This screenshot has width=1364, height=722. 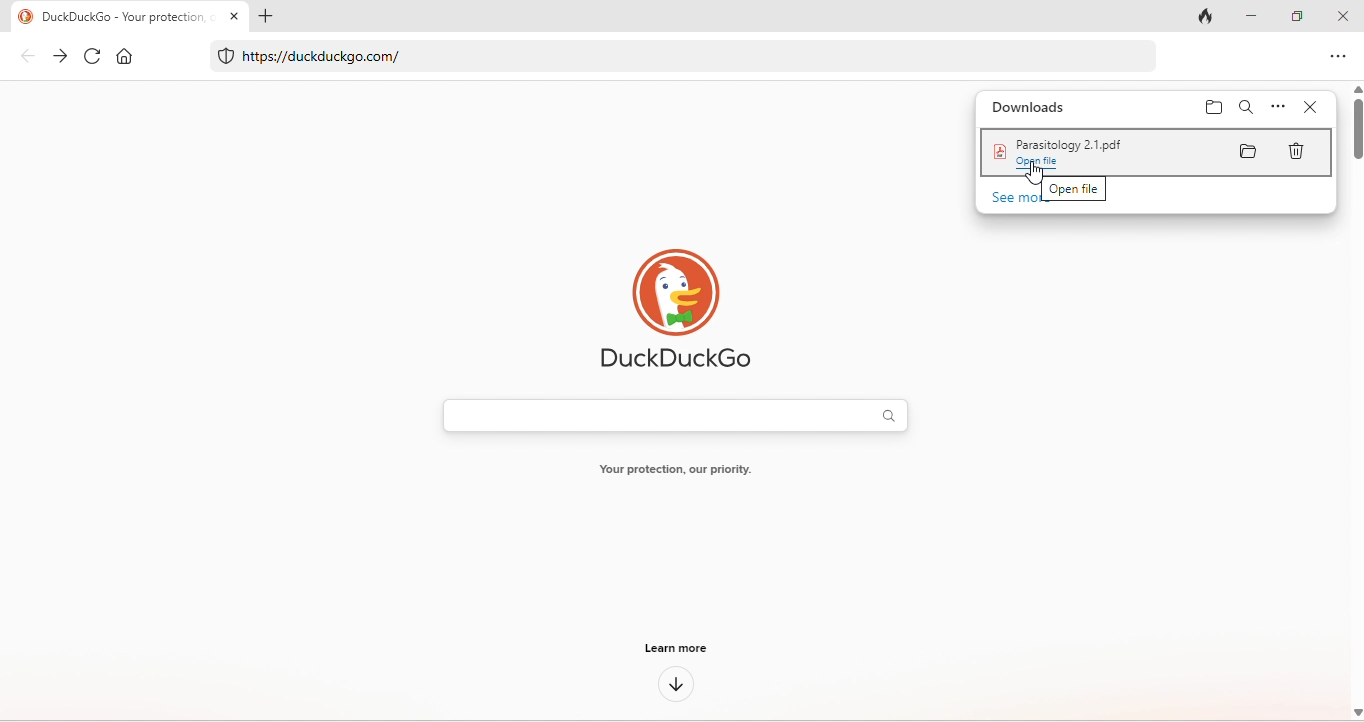 What do you see at coordinates (127, 58) in the screenshot?
I see `home` at bounding box center [127, 58].